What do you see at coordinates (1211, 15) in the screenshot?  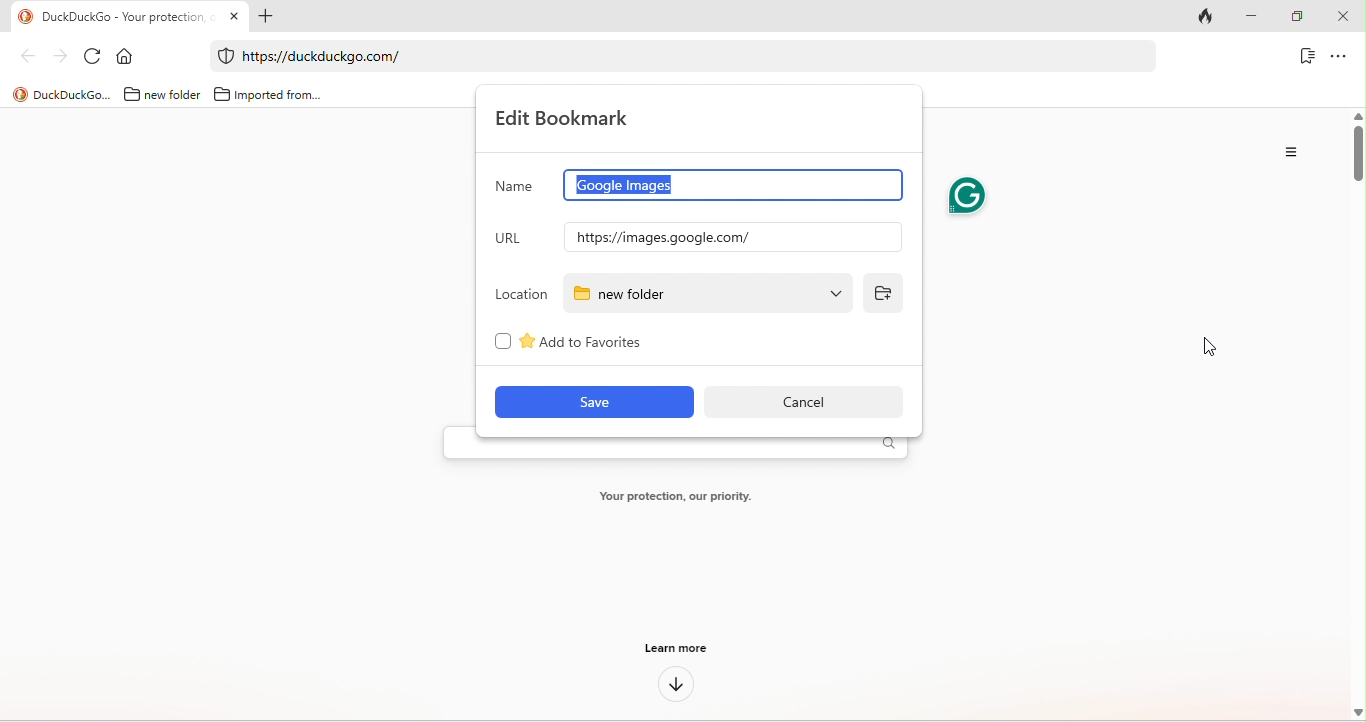 I see `track tab` at bounding box center [1211, 15].